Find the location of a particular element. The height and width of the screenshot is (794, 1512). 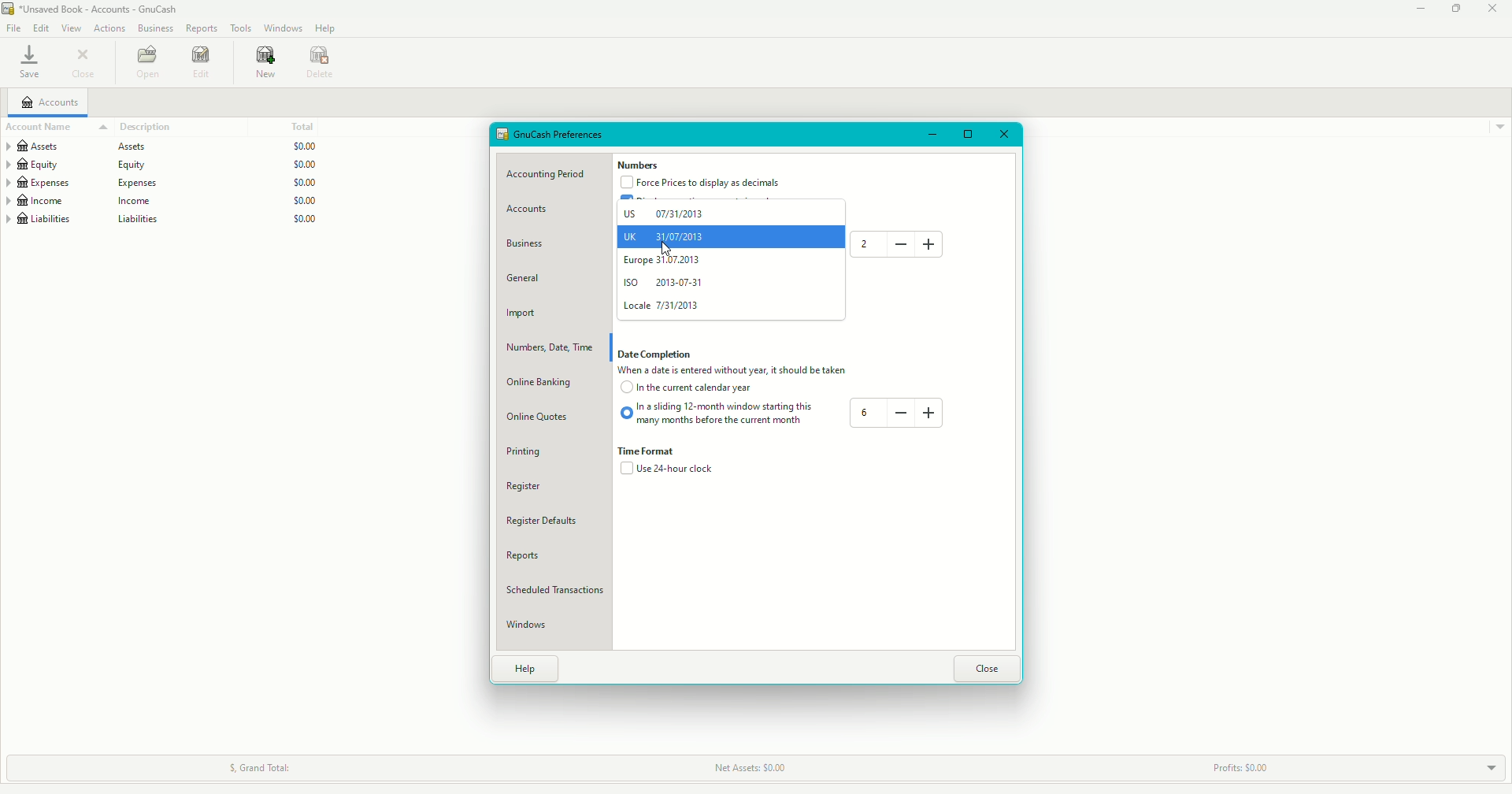

Actions is located at coordinates (109, 28).